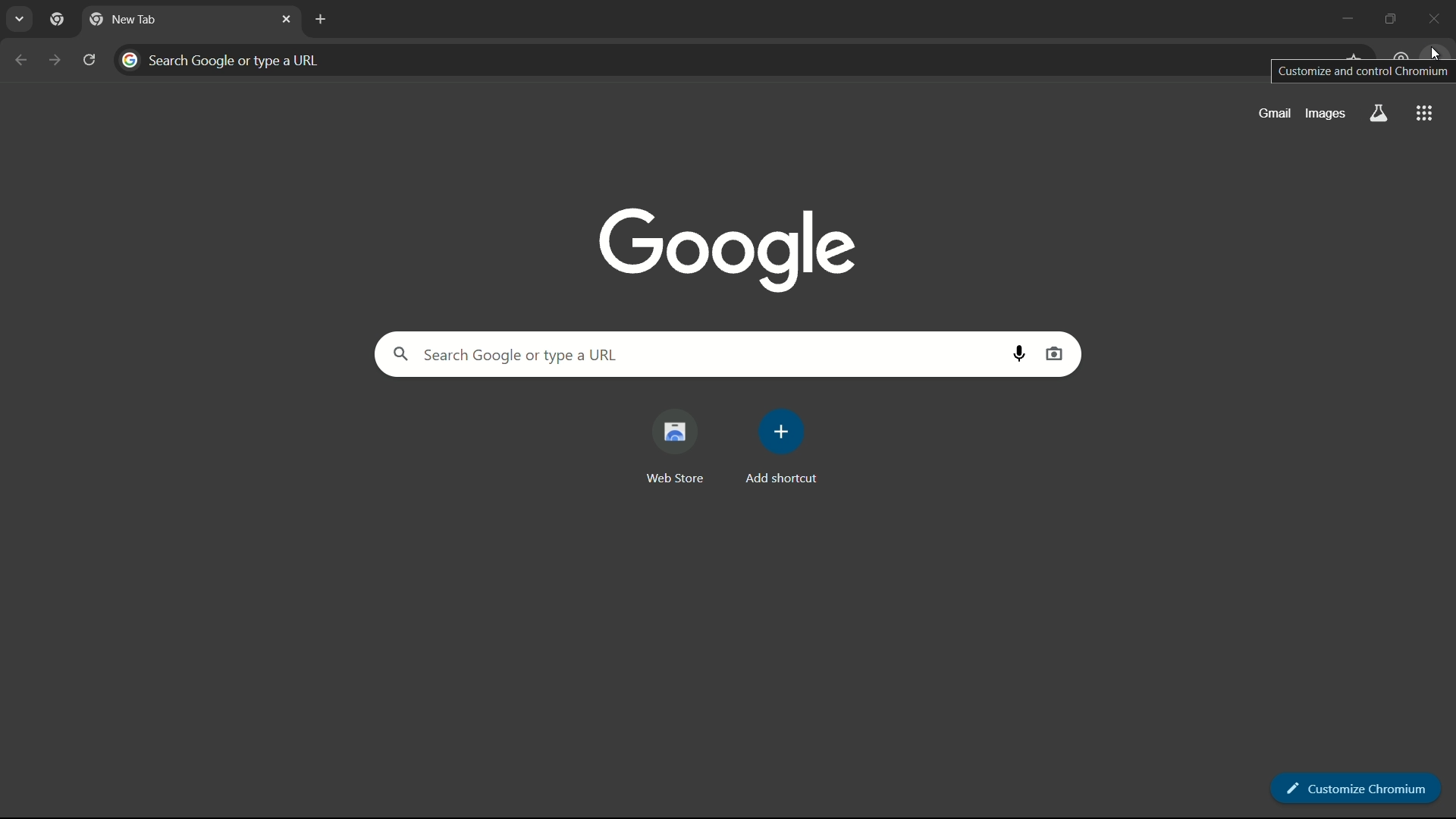 This screenshot has height=819, width=1456. I want to click on search by image, so click(1055, 353).